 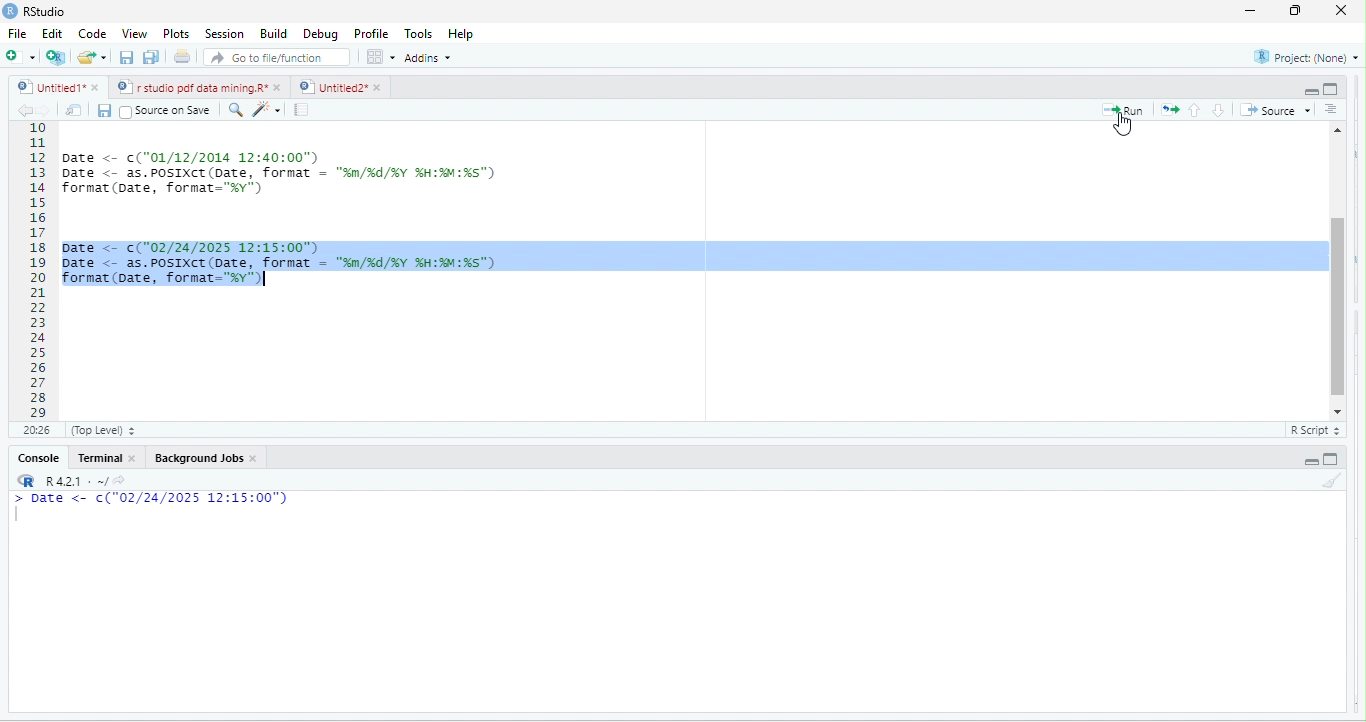 What do you see at coordinates (281, 87) in the screenshot?
I see `close` at bounding box center [281, 87].